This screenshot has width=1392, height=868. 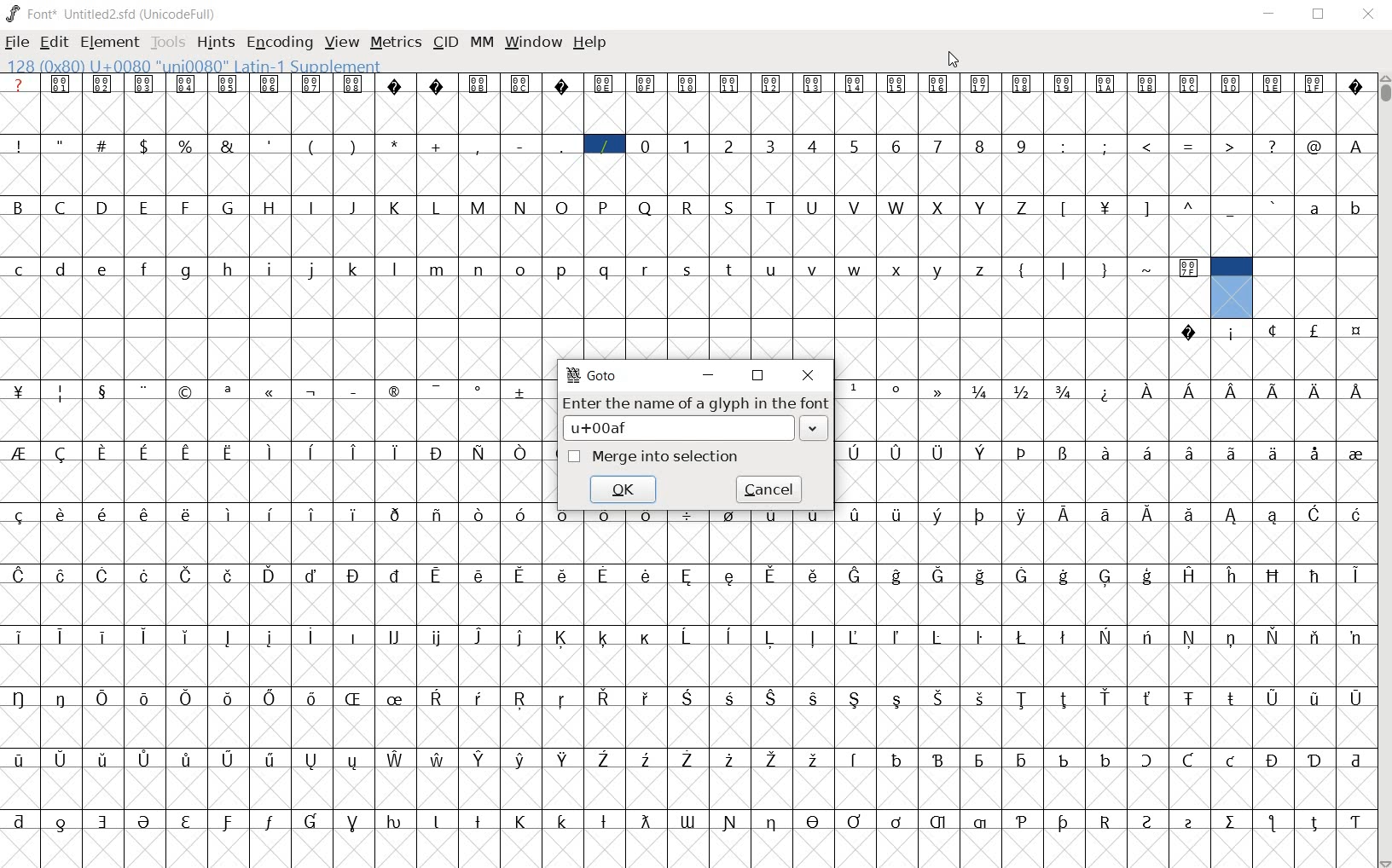 I want to click on Symbol, so click(x=855, y=389).